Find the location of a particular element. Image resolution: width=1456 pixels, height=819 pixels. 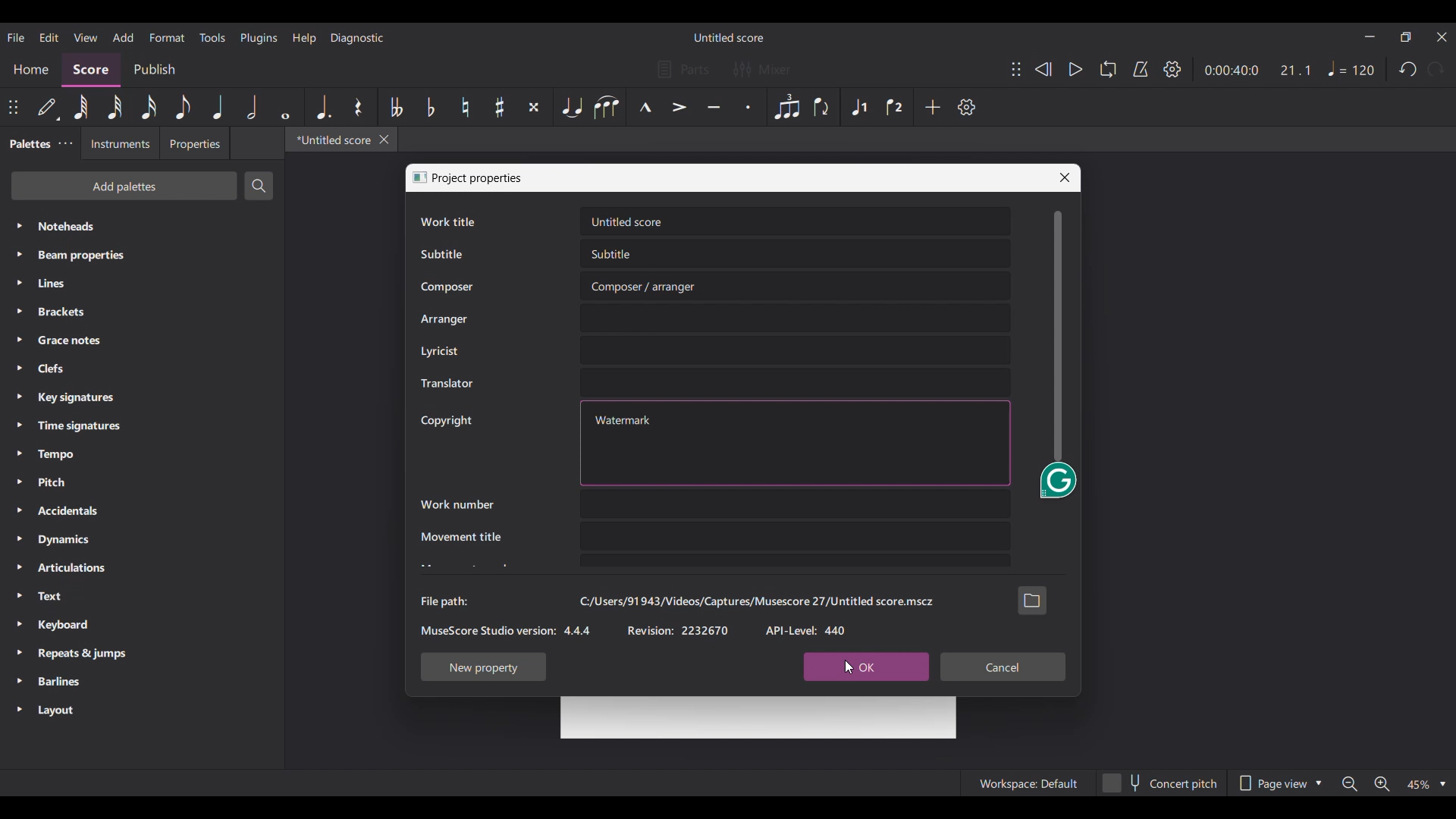

Tempo is located at coordinates (142, 454).